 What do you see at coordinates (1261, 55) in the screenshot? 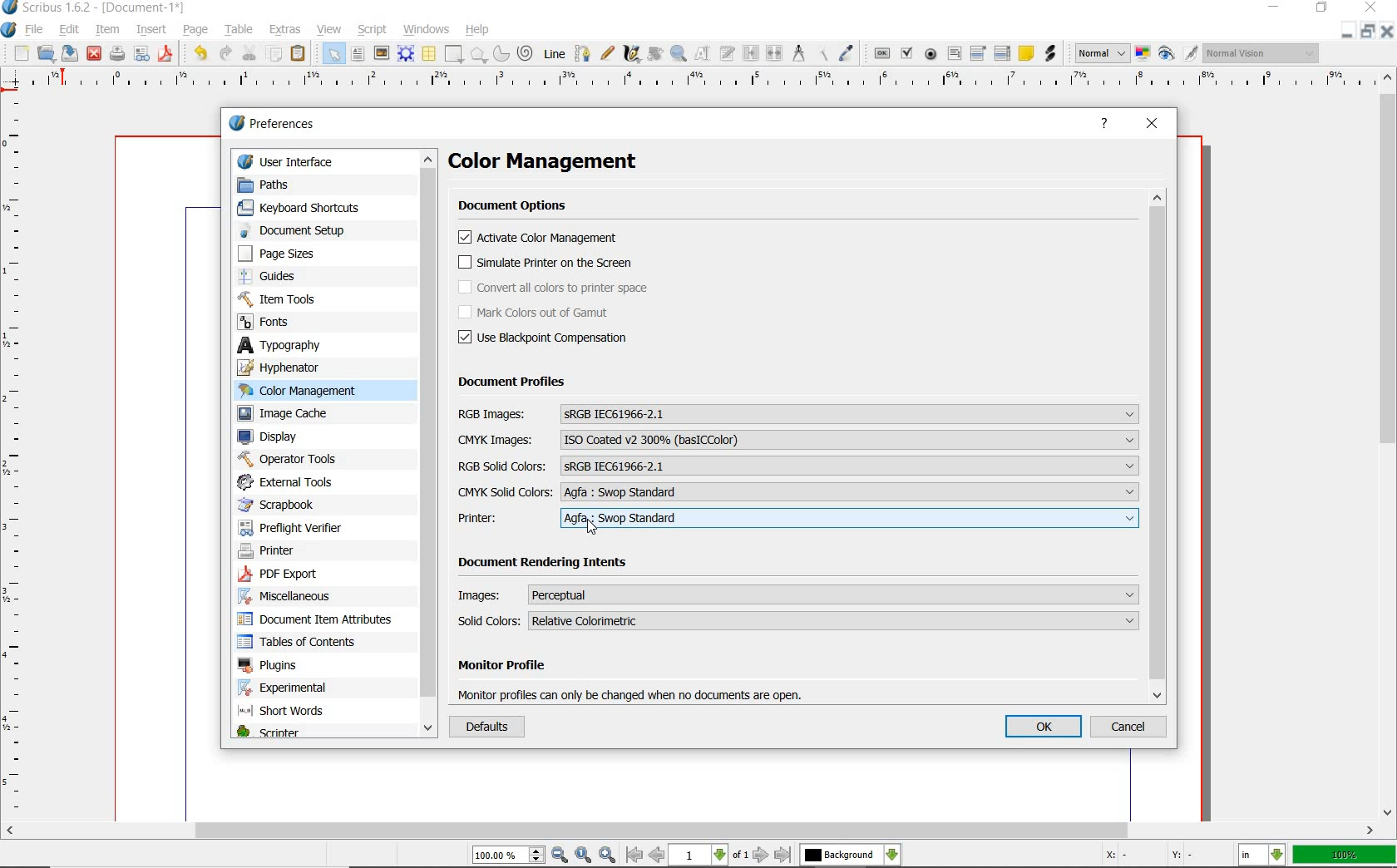
I see `visual appearance of the display` at bounding box center [1261, 55].